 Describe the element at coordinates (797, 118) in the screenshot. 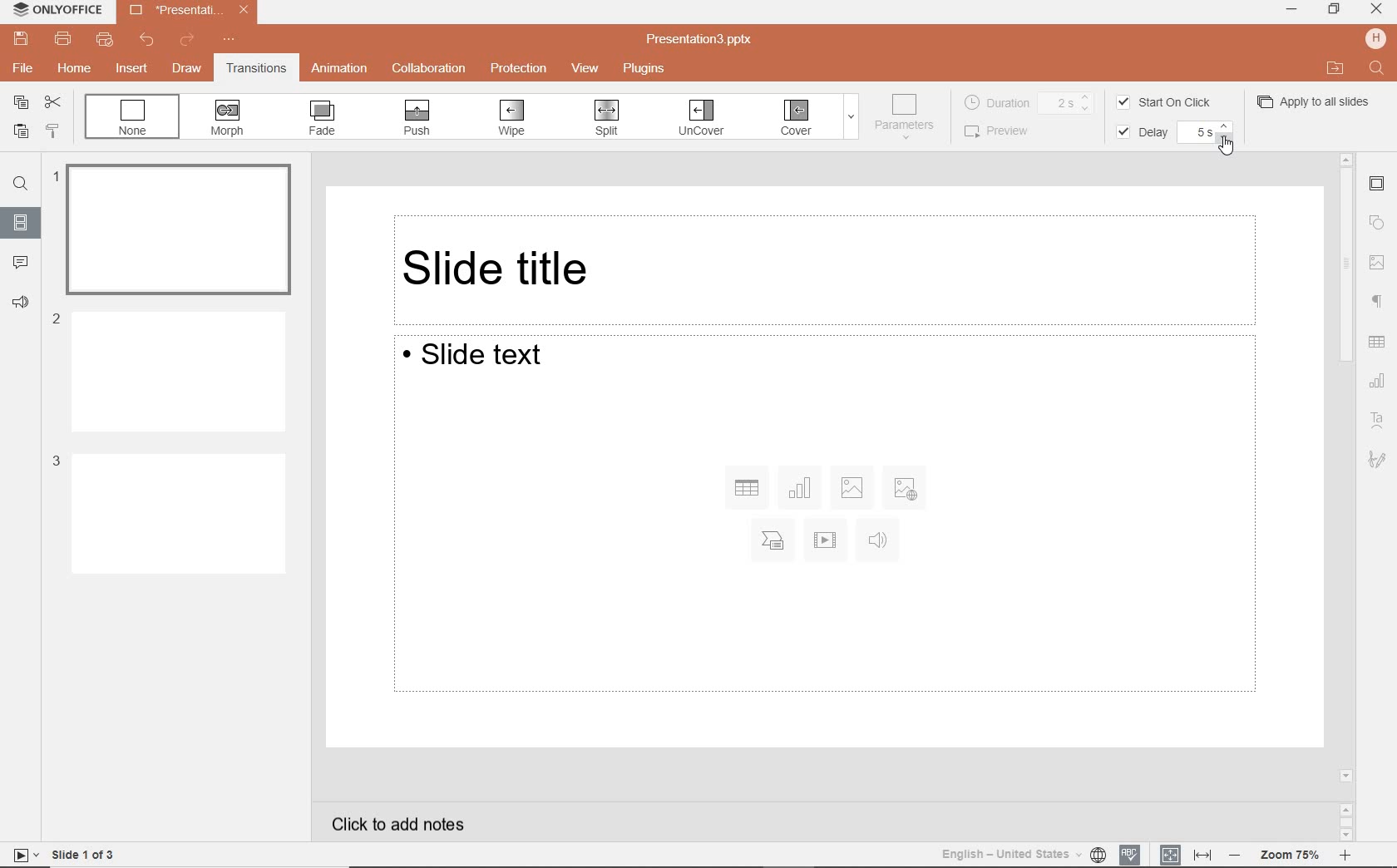

I see `COVER` at that location.